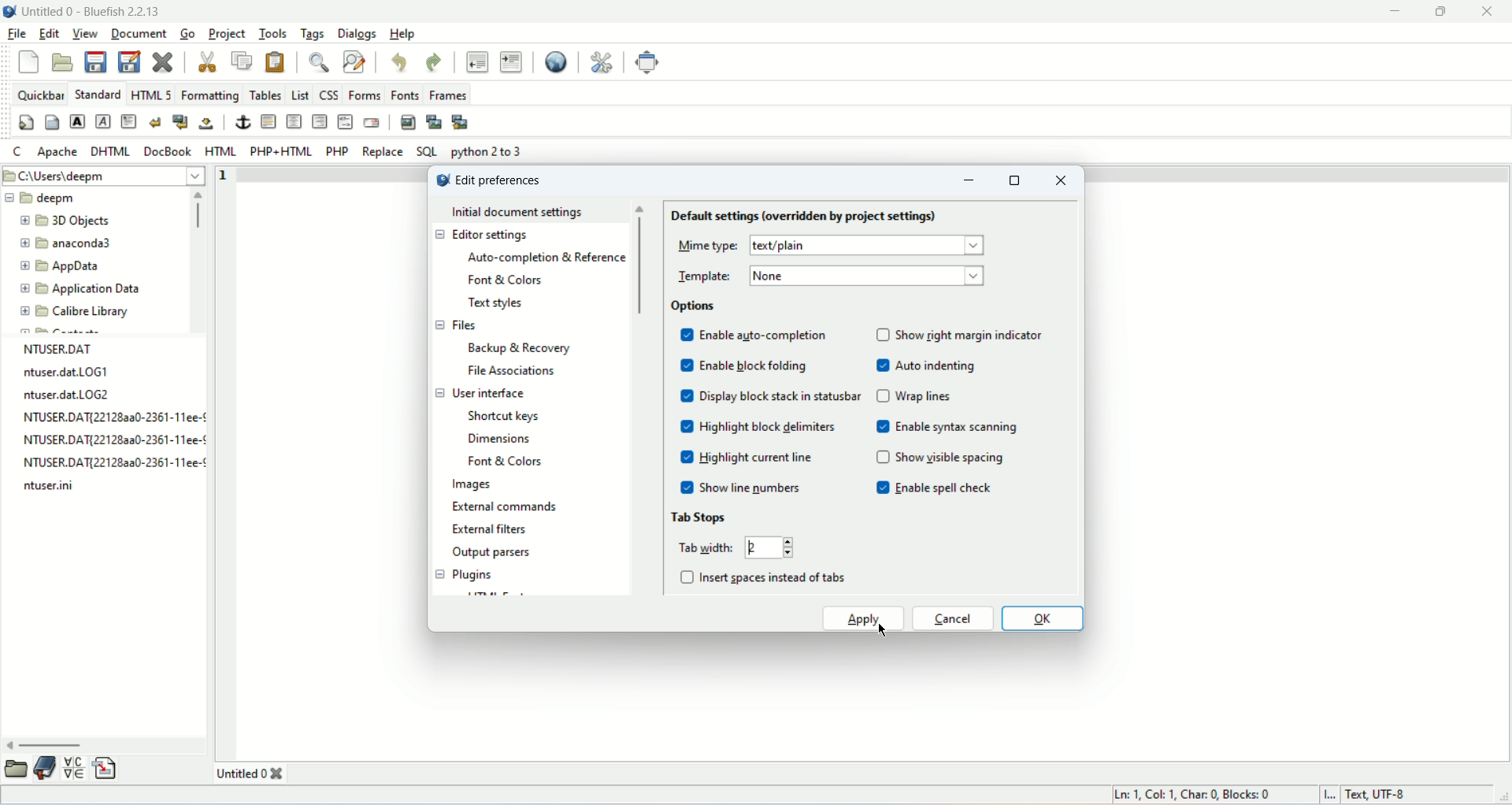 Image resolution: width=1512 pixels, height=805 pixels. Describe the element at coordinates (1373, 796) in the screenshot. I see `text, UTF-8` at that location.